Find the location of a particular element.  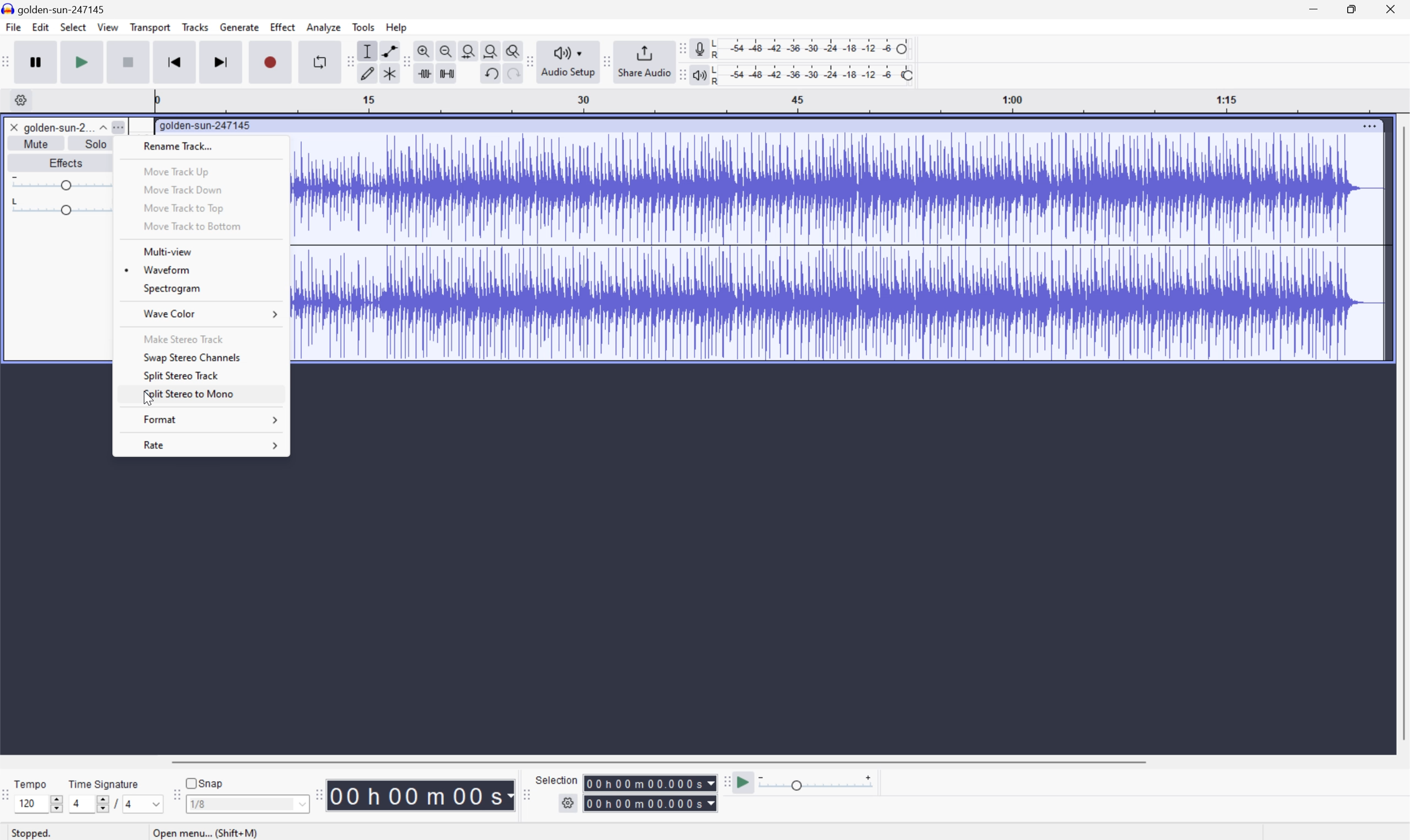

Skip to start is located at coordinates (176, 61).